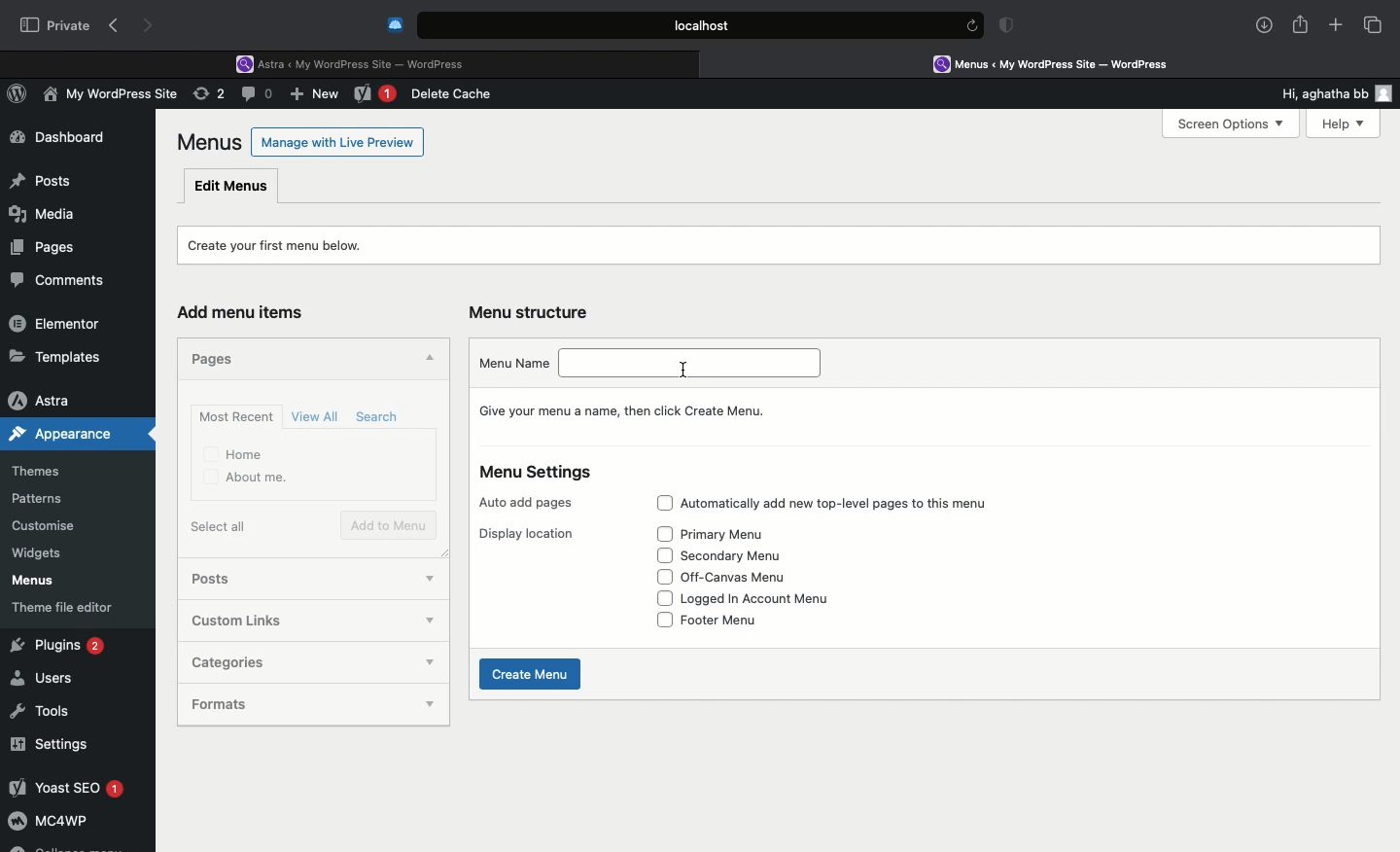 The height and width of the screenshot is (852, 1400). Describe the element at coordinates (665, 503) in the screenshot. I see `Check box` at that location.